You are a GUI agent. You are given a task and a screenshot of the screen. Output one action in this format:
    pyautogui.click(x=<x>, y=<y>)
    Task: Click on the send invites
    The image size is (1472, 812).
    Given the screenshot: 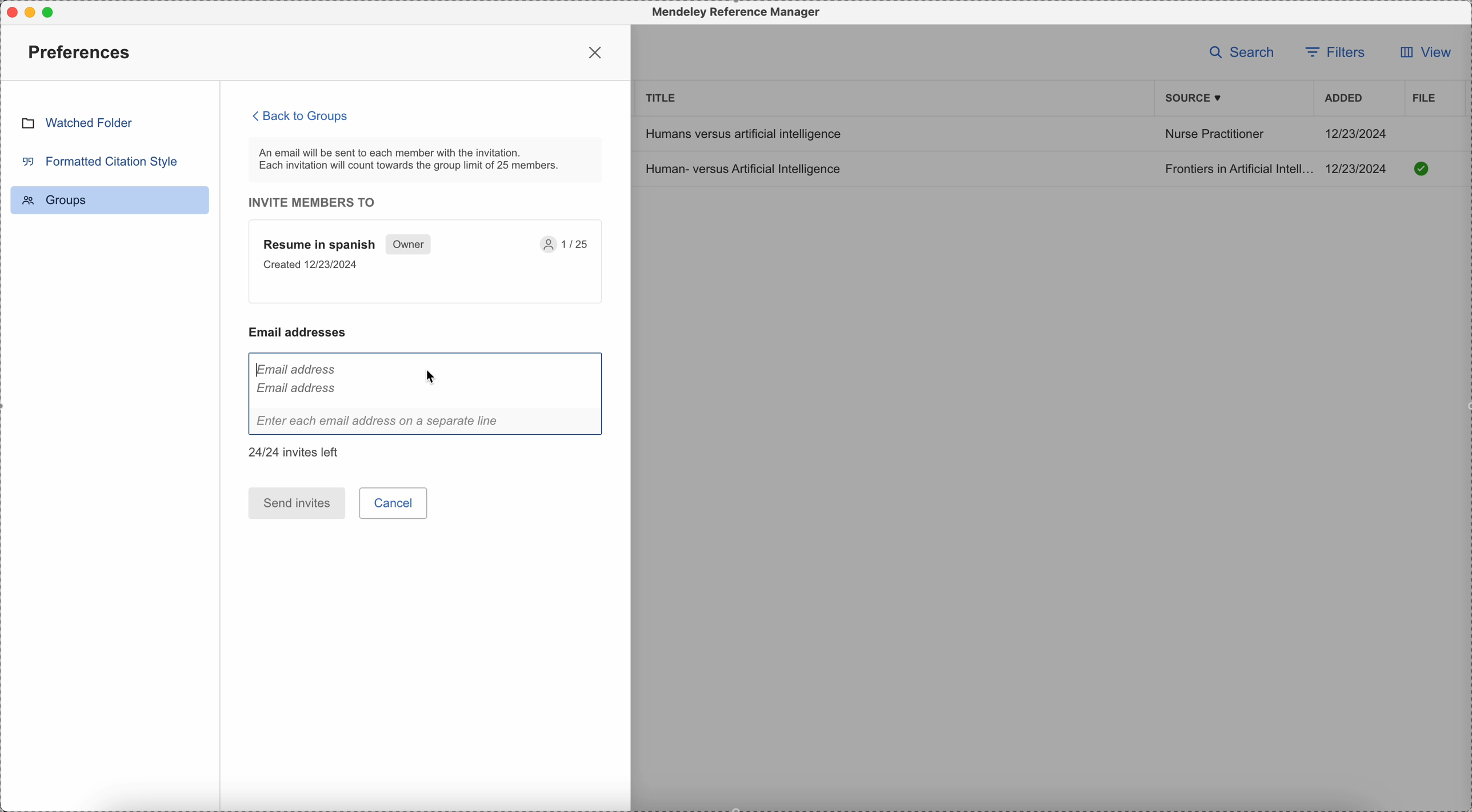 What is the action you would take?
    pyautogui.click(x=297, y=503)
    